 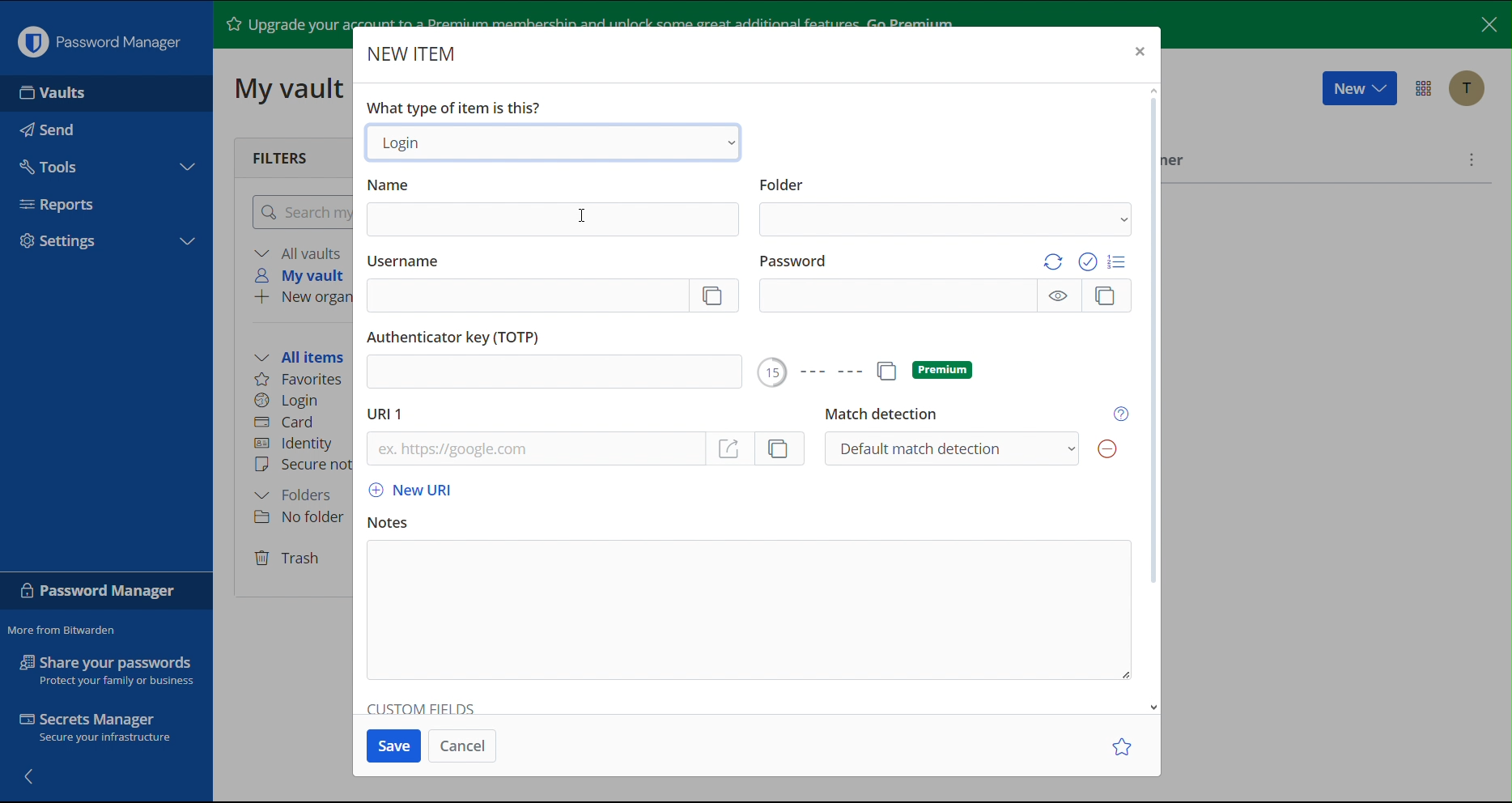 What do you see at coordinates (464, 745) in the screenshot?
I see `Cancel` at bounding box center [464, 745].